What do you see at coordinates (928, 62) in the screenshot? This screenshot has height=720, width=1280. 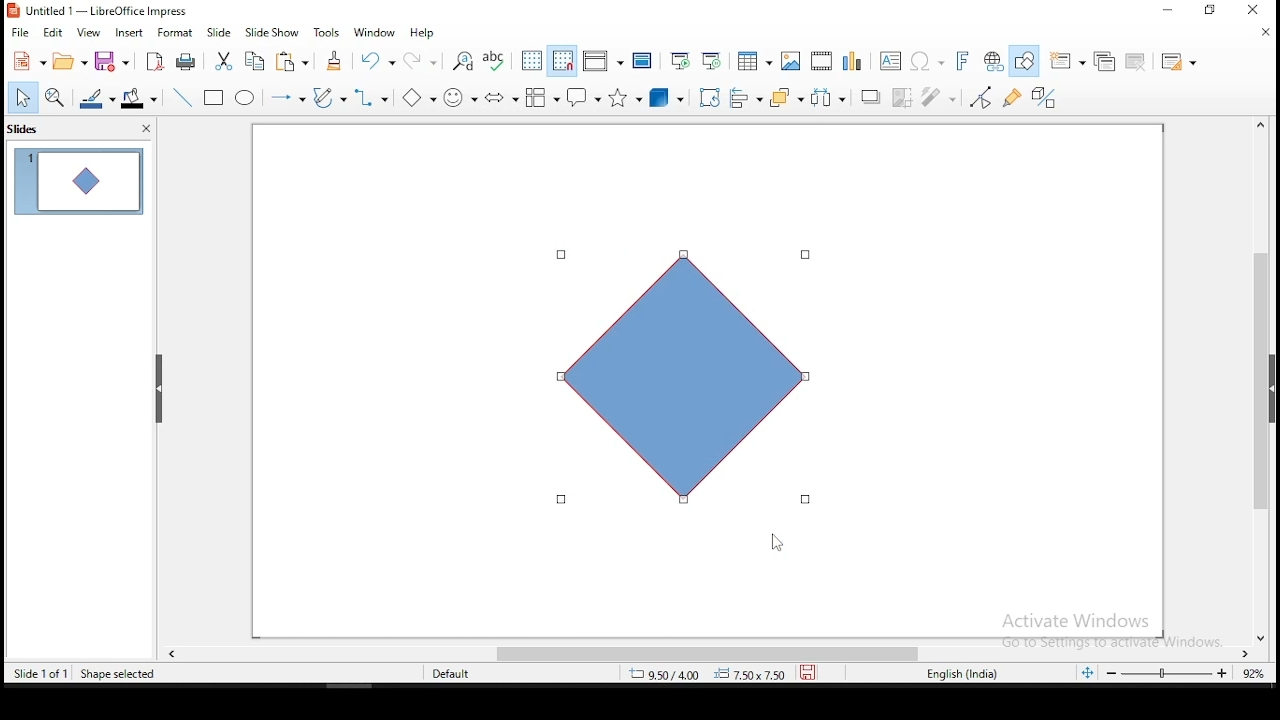 I see `` at bounding box center [928, 62].